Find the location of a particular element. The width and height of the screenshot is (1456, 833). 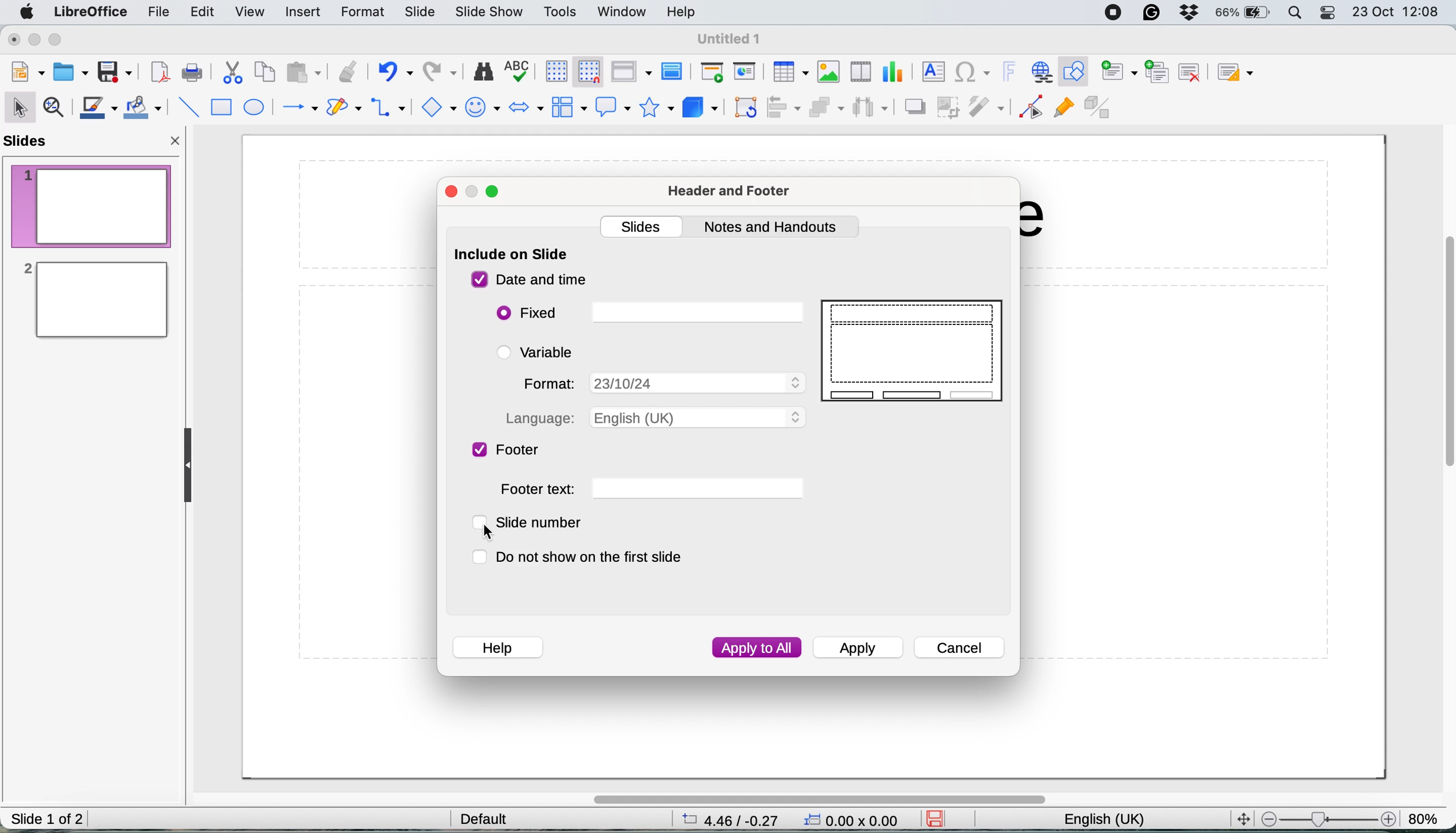

maximise is located at coordinates (494, 193).